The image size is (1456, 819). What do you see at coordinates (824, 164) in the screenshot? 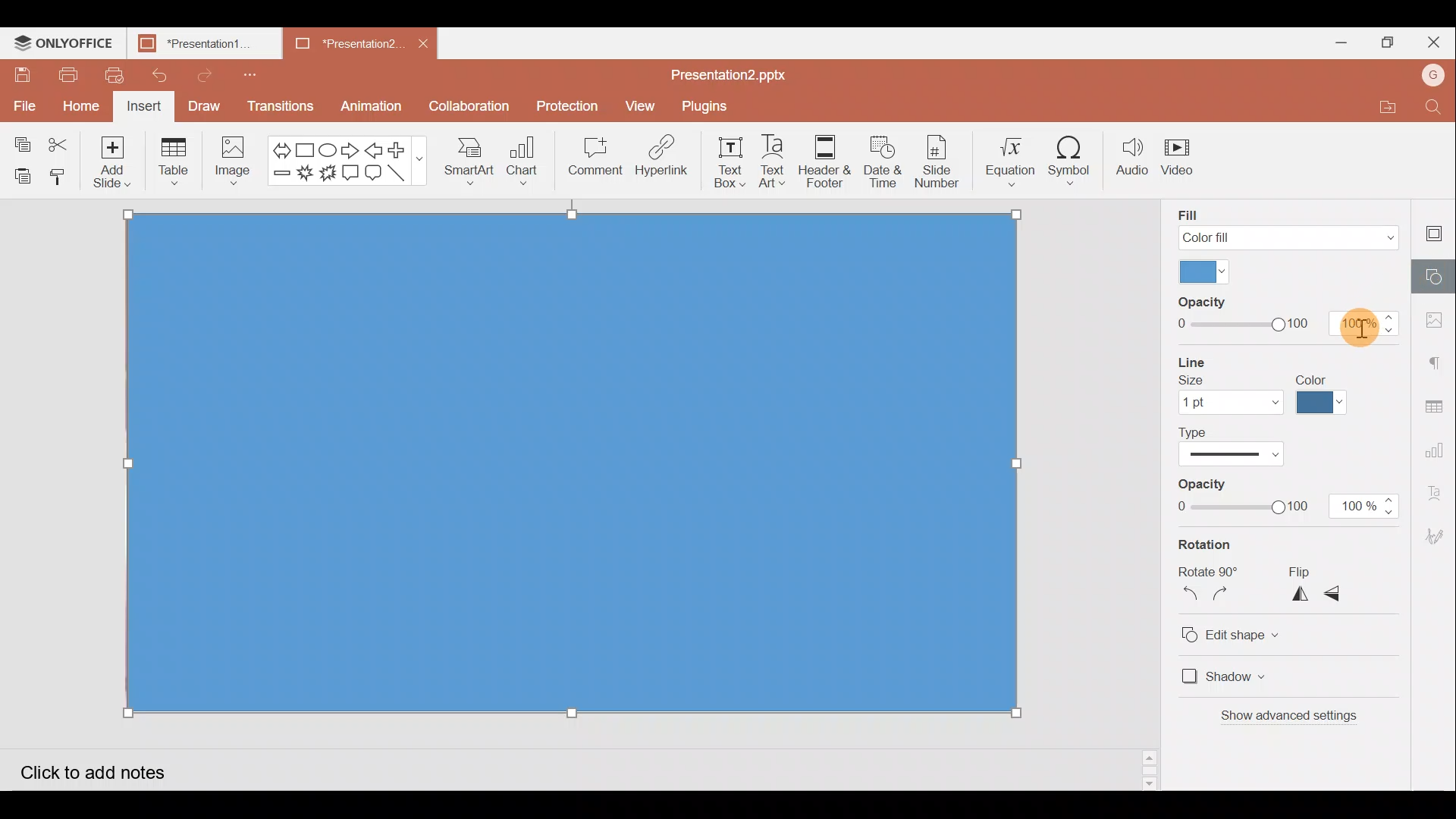
I see `Header & footer` at bounding box center [824, 164].